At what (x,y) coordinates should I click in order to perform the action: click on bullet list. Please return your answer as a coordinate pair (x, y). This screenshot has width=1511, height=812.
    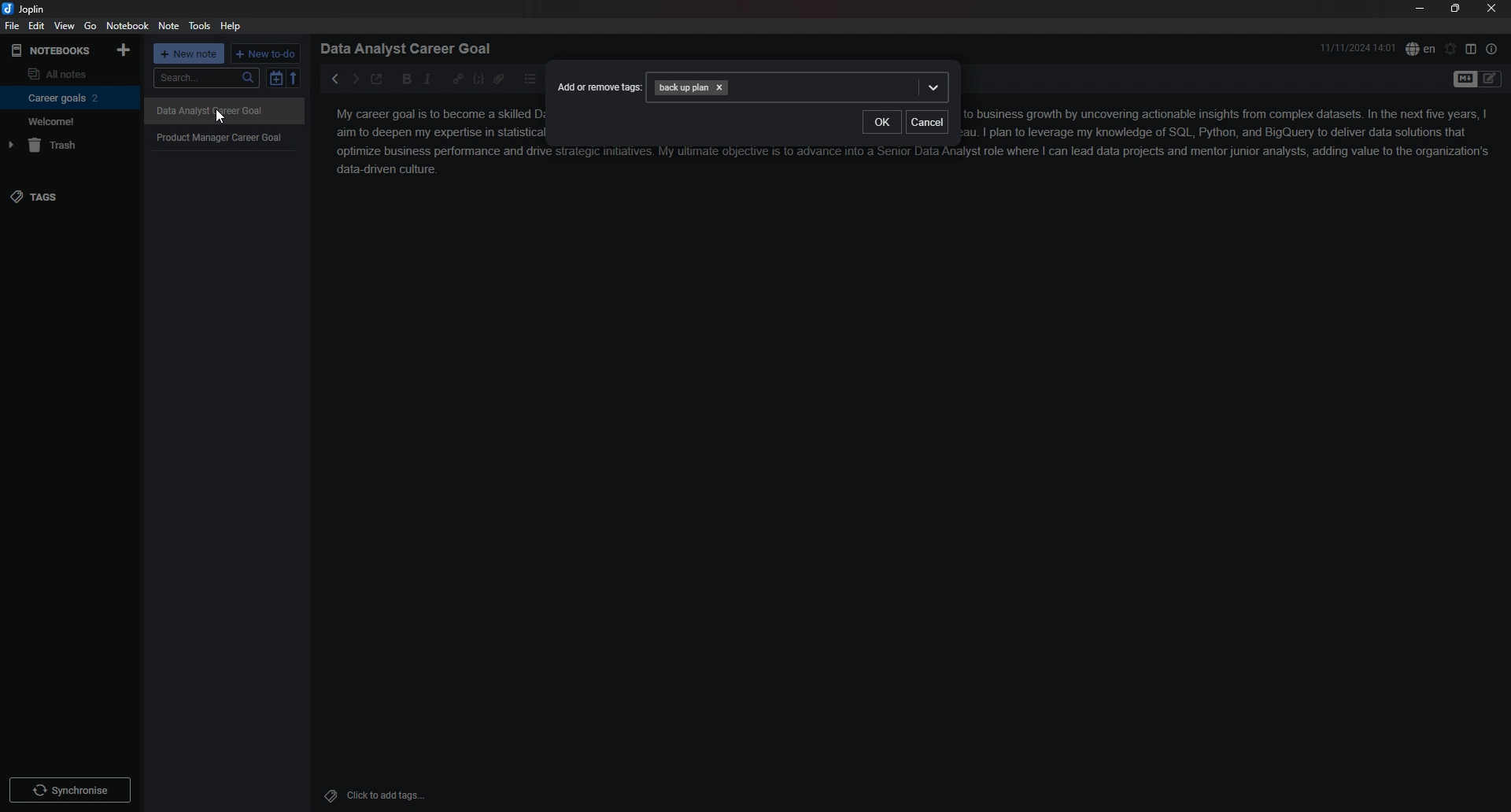
    Looking at the image, I should click on (530, 79).